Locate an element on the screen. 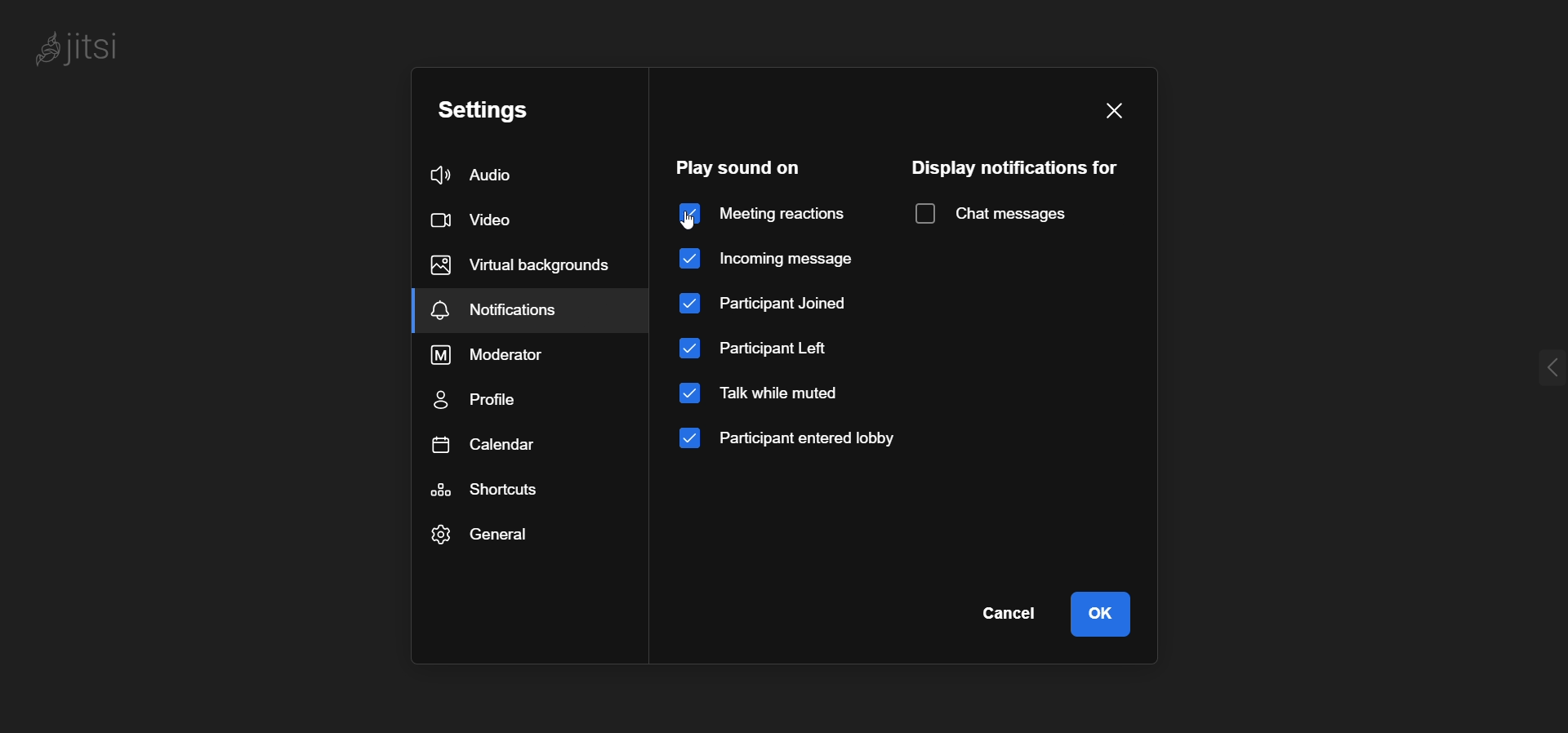  chat message is located at coordinates (993, 211).